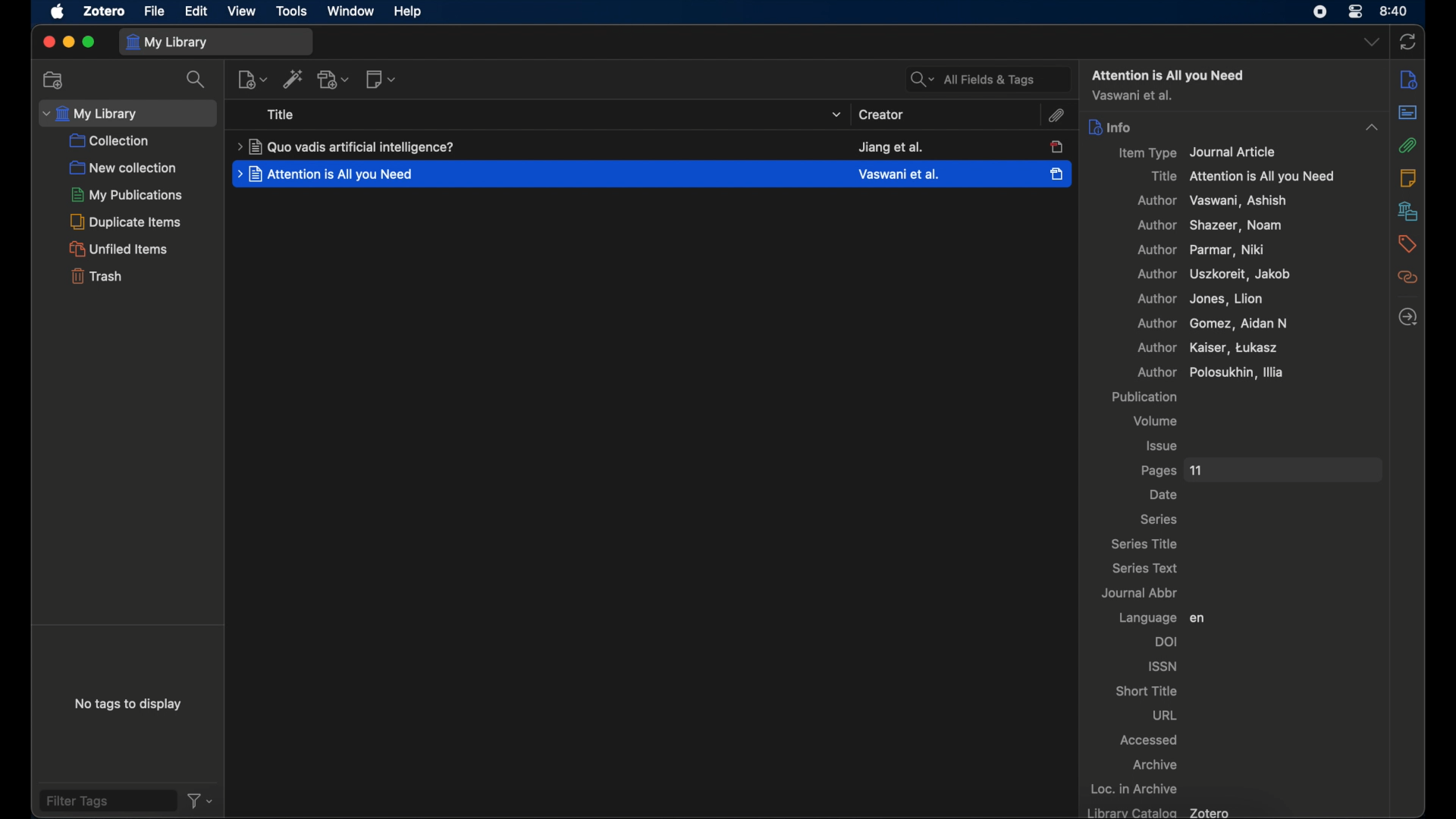  I want to click on new collections, so click(55, 80).